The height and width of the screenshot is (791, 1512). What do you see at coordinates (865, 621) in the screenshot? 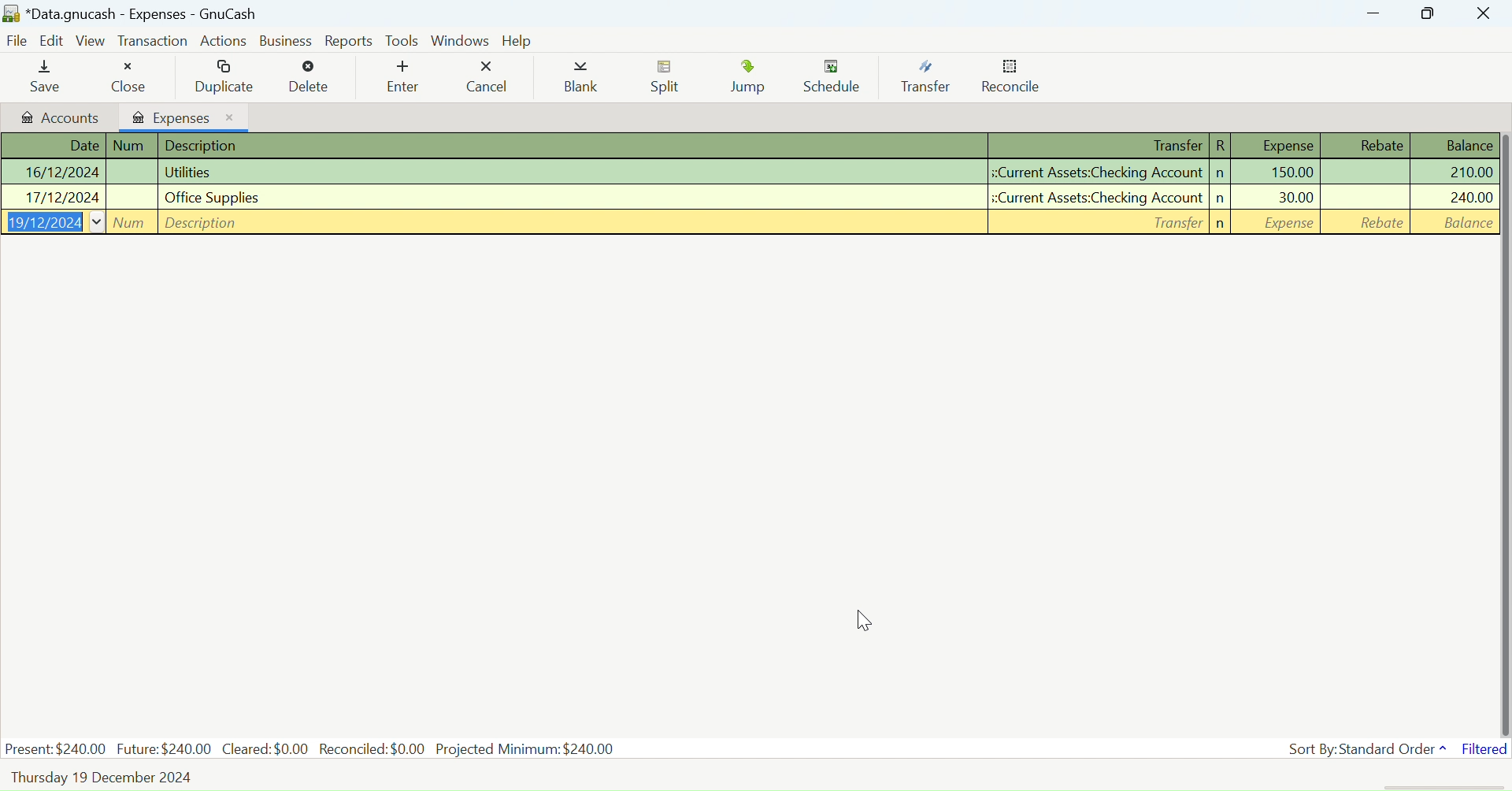
I see `Cursor Position AFTER_LAST_ACTION` at bounding box center [865, 621].